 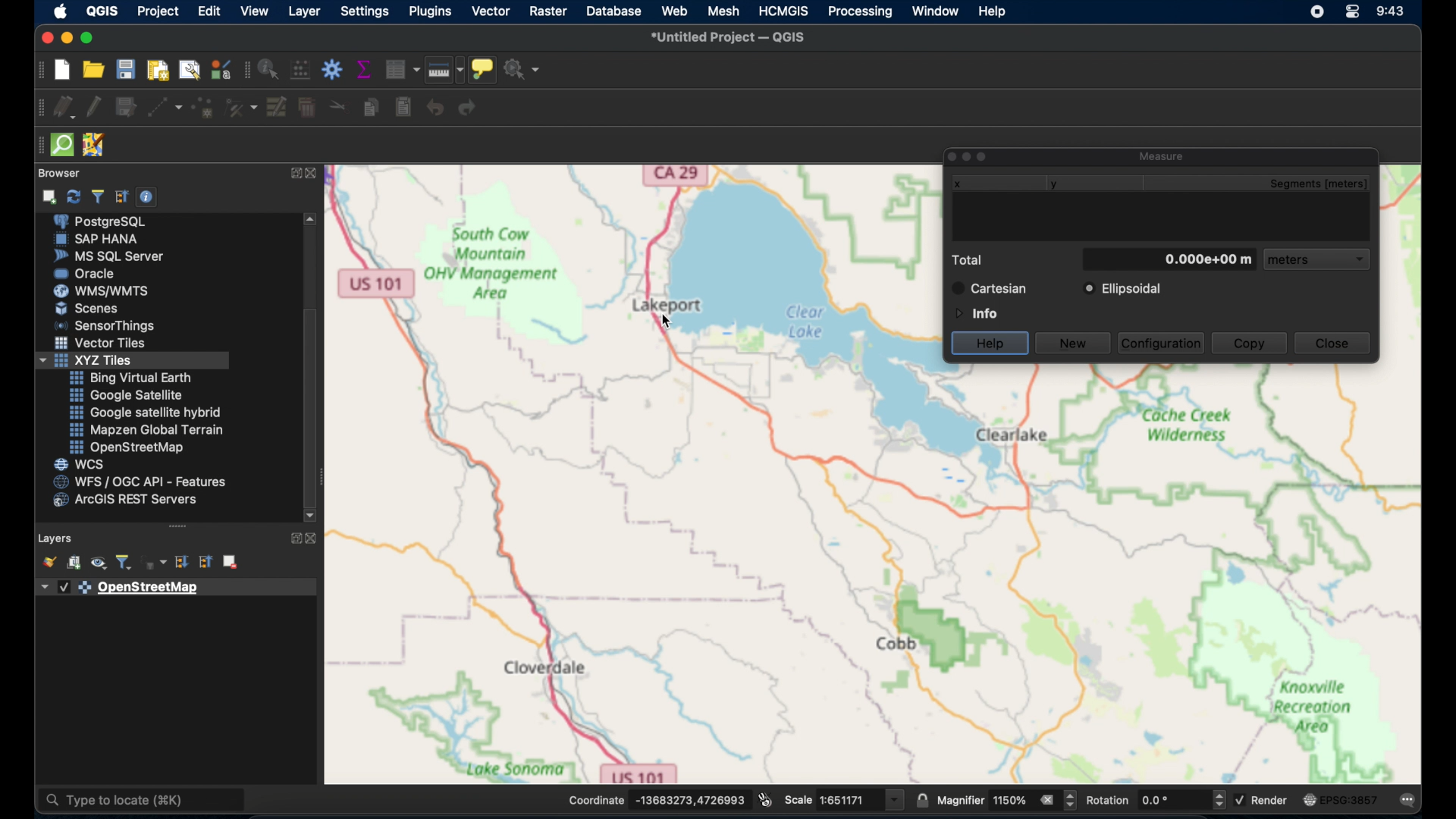 What do you see at coordinates (102, 11) in the screenshot?
I see `QGIS` at bounding box center [102, 11].